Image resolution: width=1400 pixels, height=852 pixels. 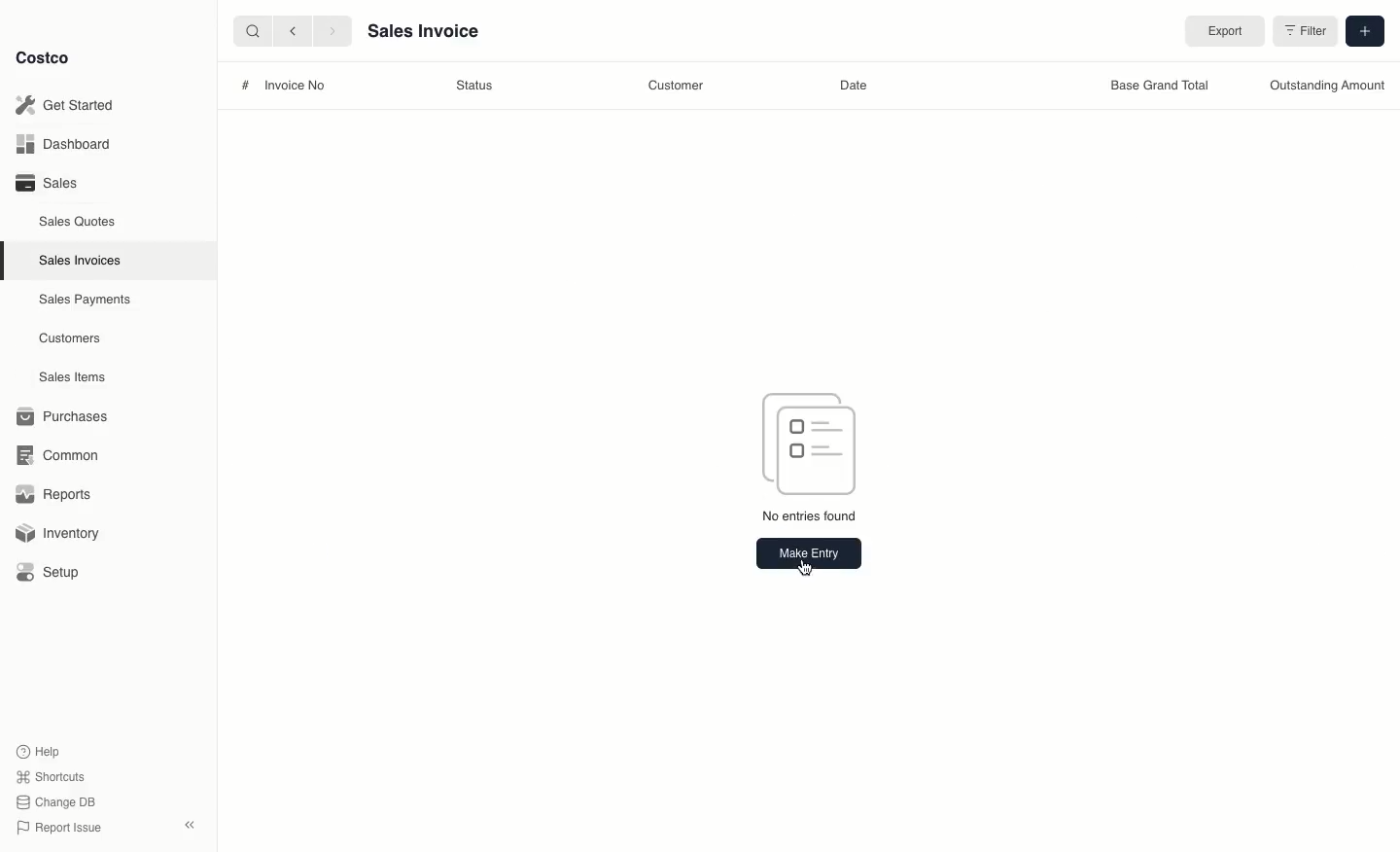 I want to click on Back, so click(x=291, y=31).